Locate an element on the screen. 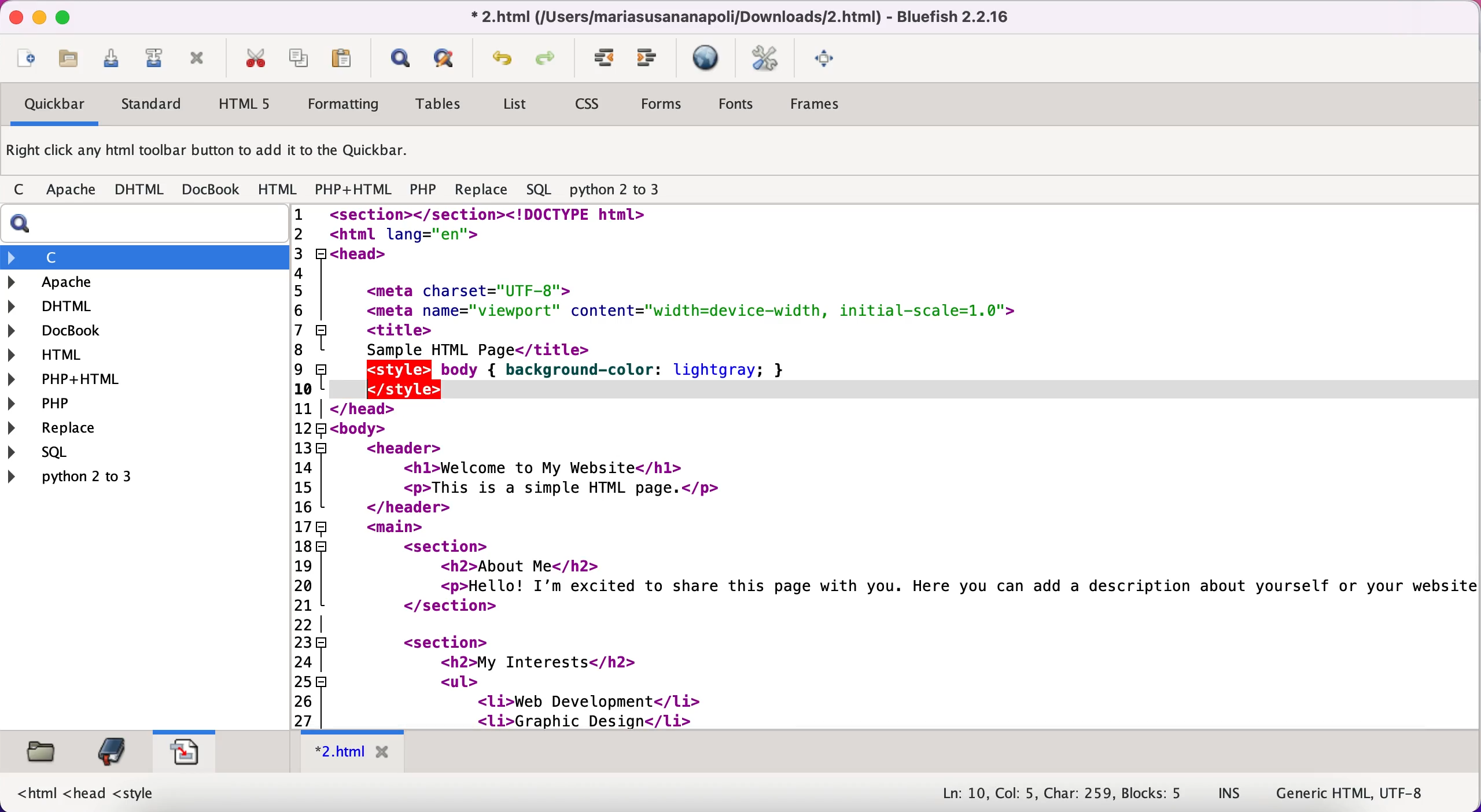 This screenshot has height=812, width=1481. Html code to create a website. It talks about "This is my website" in the header. In the <main> section it says "Hello! I am excited to share this page with you." It also lists different interests under "My interests" and provides the html code for designing the entire structure of the website.  is located at coordinates (906, 466).